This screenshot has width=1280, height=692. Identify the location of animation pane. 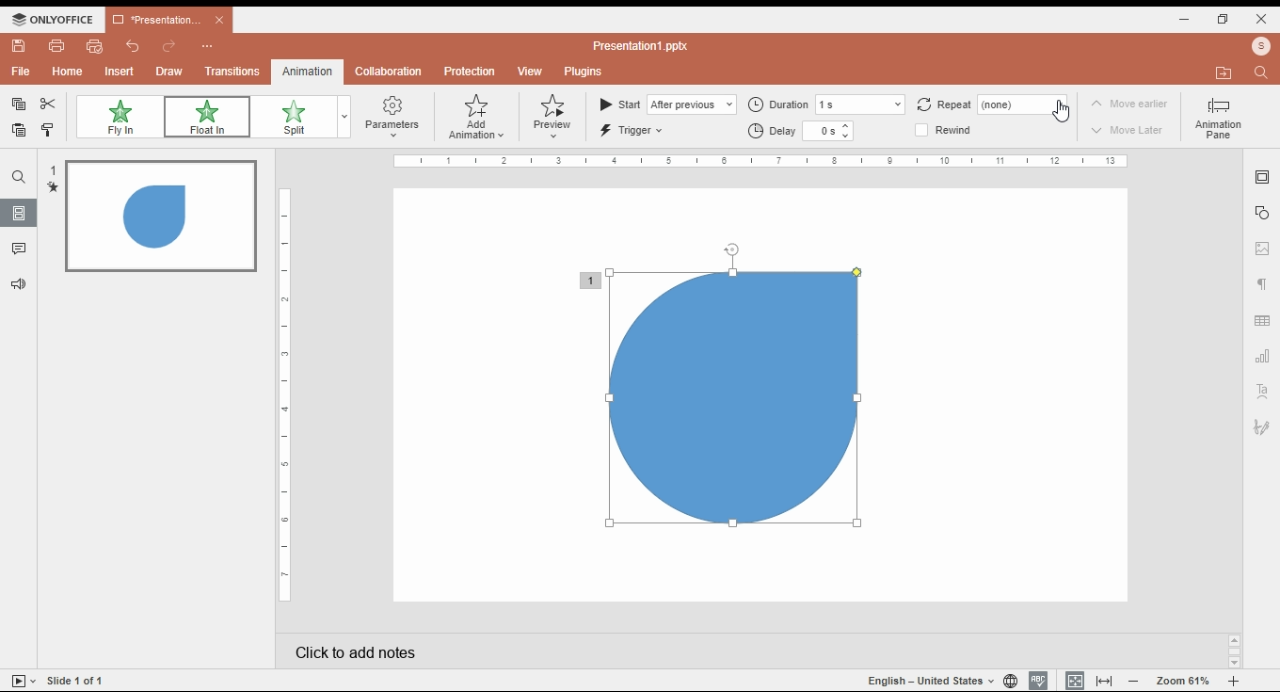
(1217, 118).